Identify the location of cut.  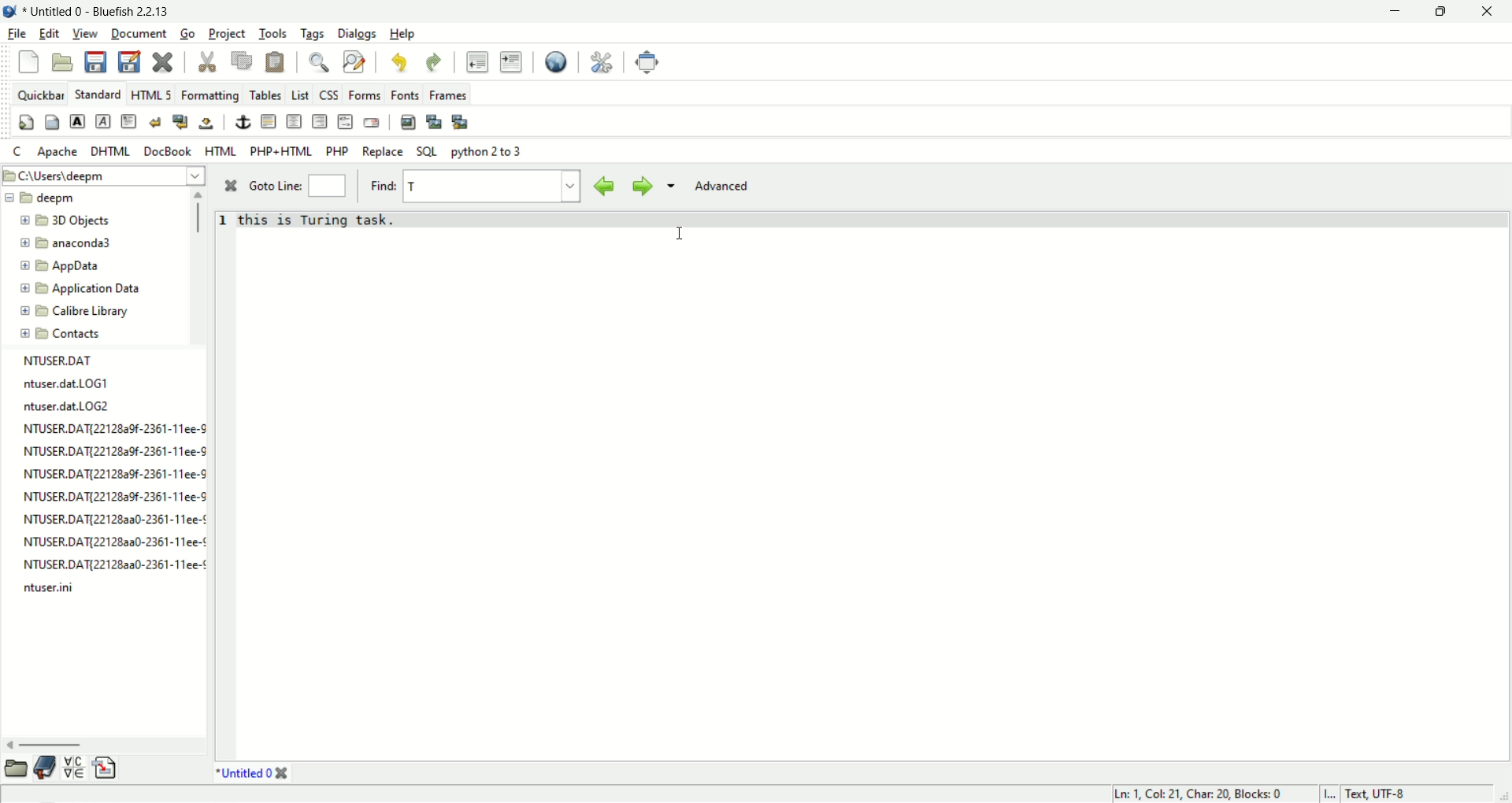
(209, 63).